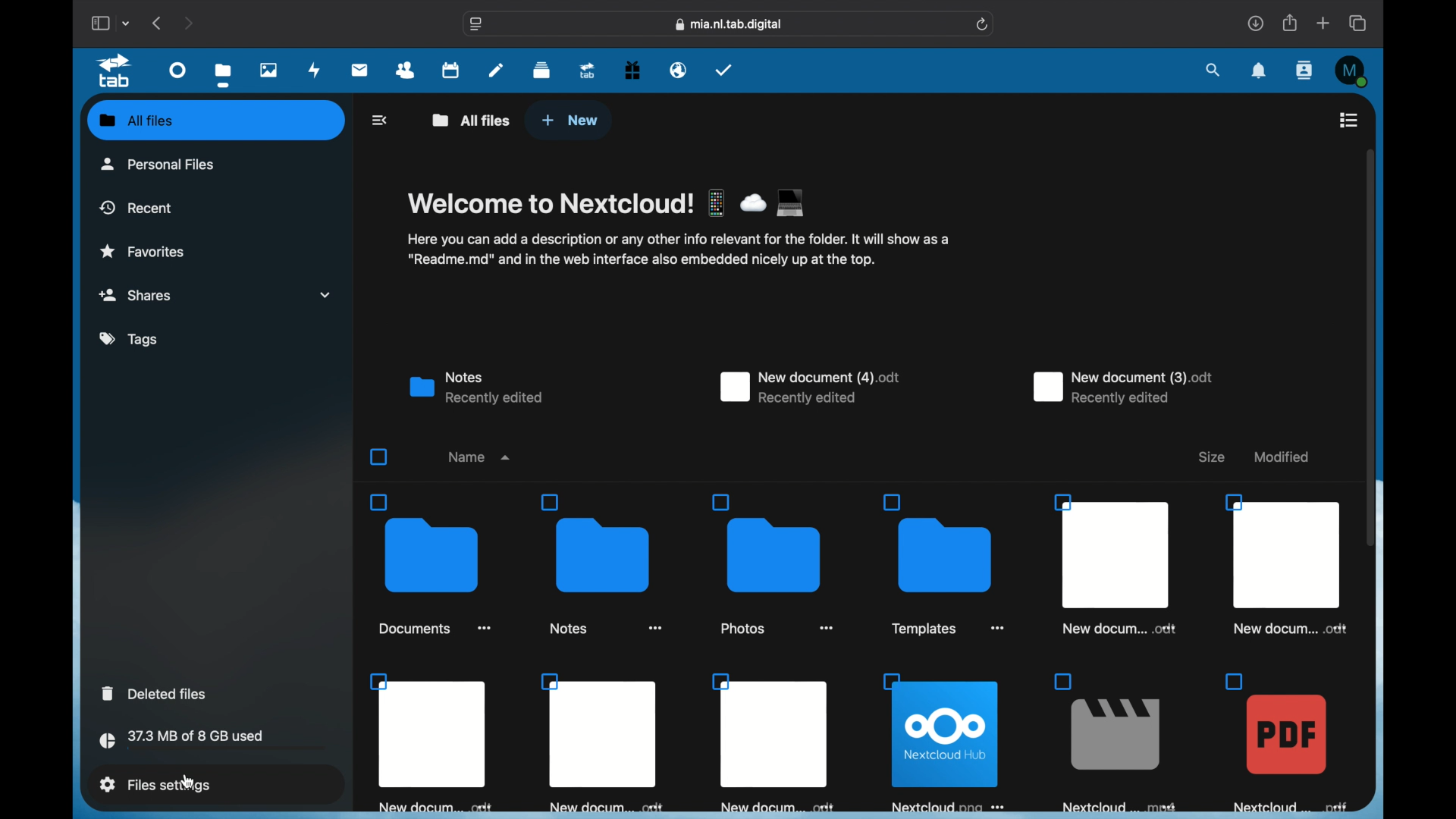 Image resolution: width=1456 pixels, height=819 pixels. I want to click on downloads, so click(1255, 23).